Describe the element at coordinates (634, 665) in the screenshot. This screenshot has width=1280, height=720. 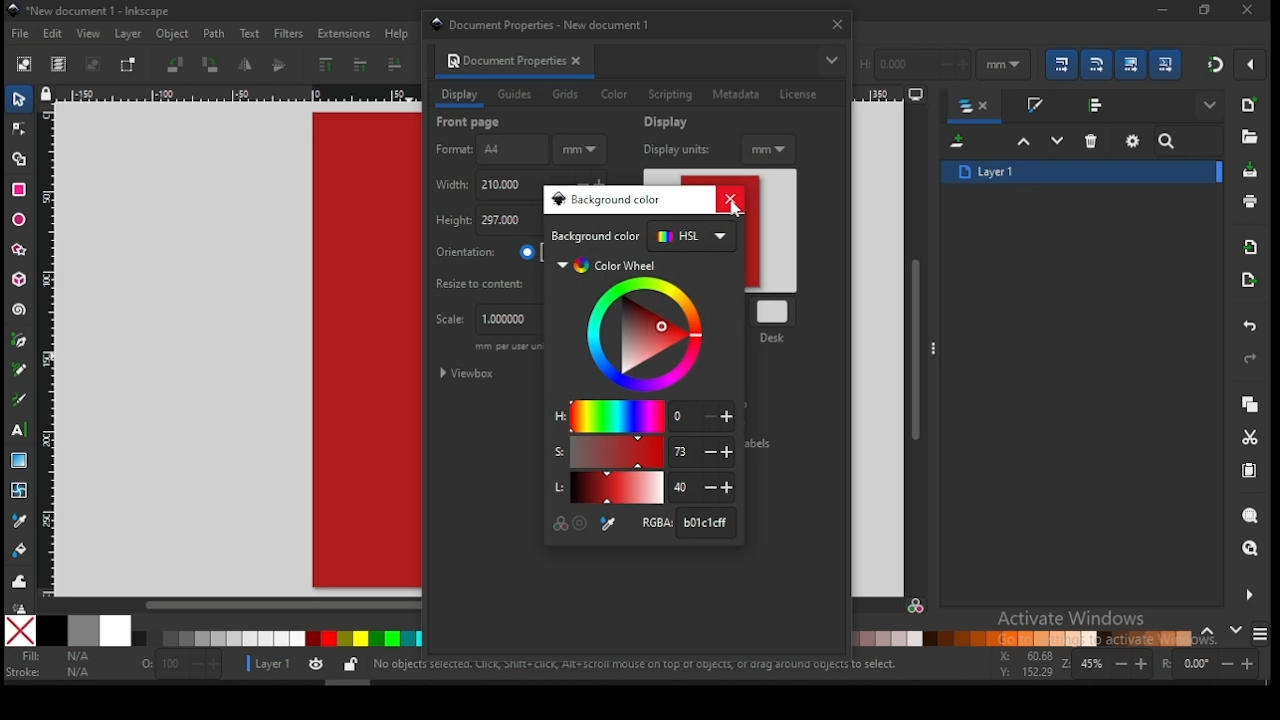
I see `shortcuts and notifications` at that location.